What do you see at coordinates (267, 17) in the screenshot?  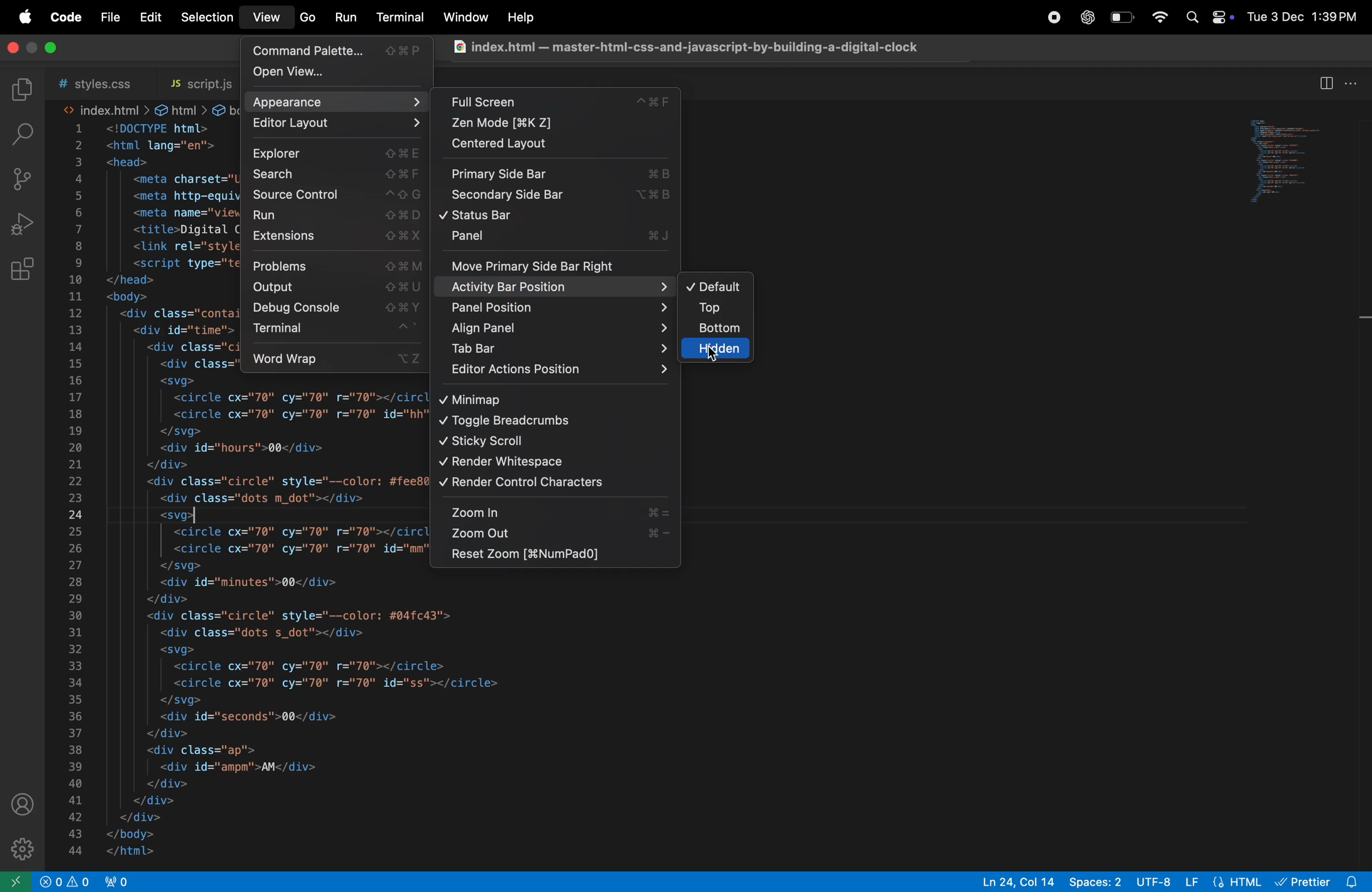 I see `view` at bounding box center [267, 17].